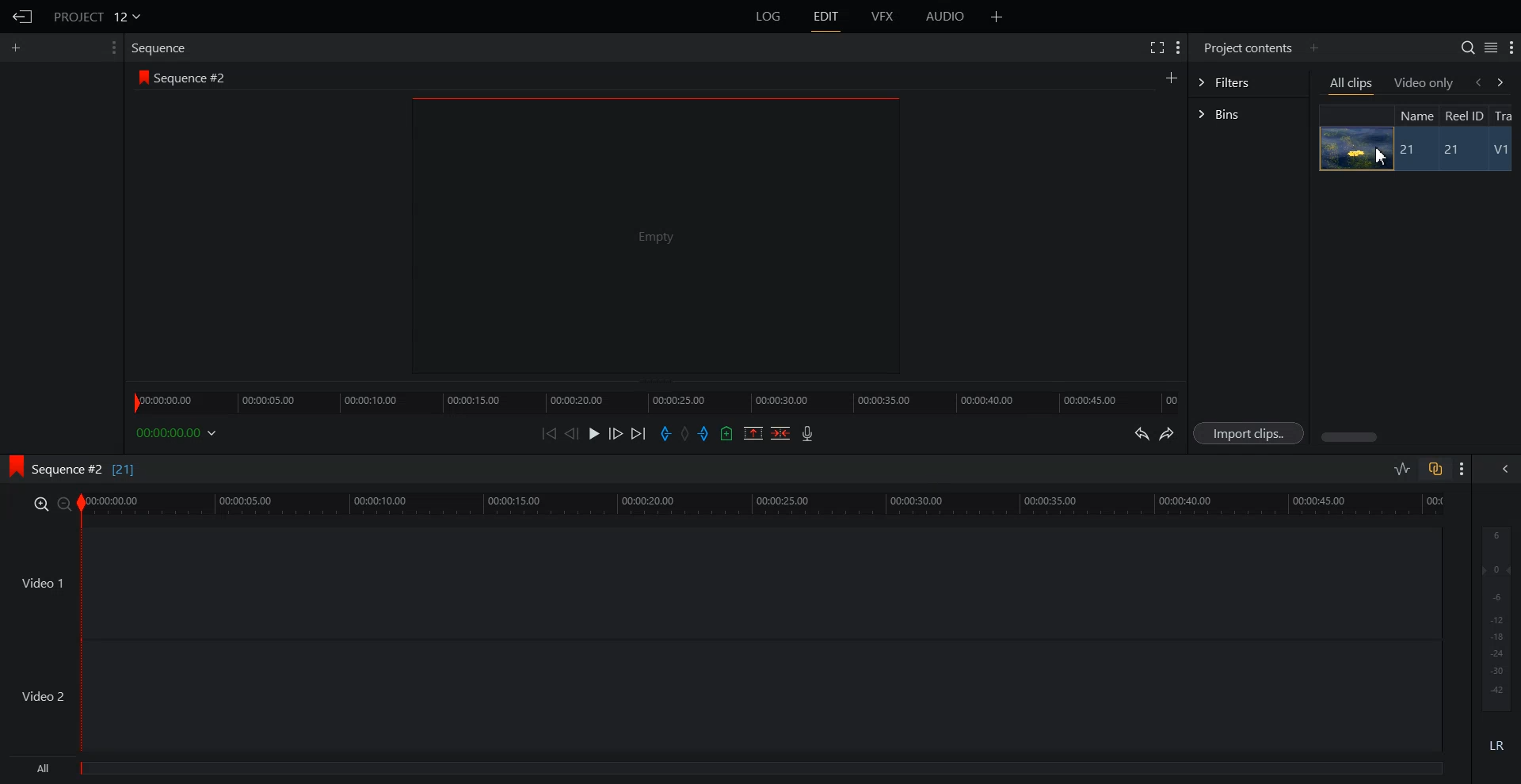 Image resolution: width=1521 pixels, height=784 pixels. What do you see at coordinates (20, 48) in the screenshot?
I see `Add panel` at bounding box center [20, 48].